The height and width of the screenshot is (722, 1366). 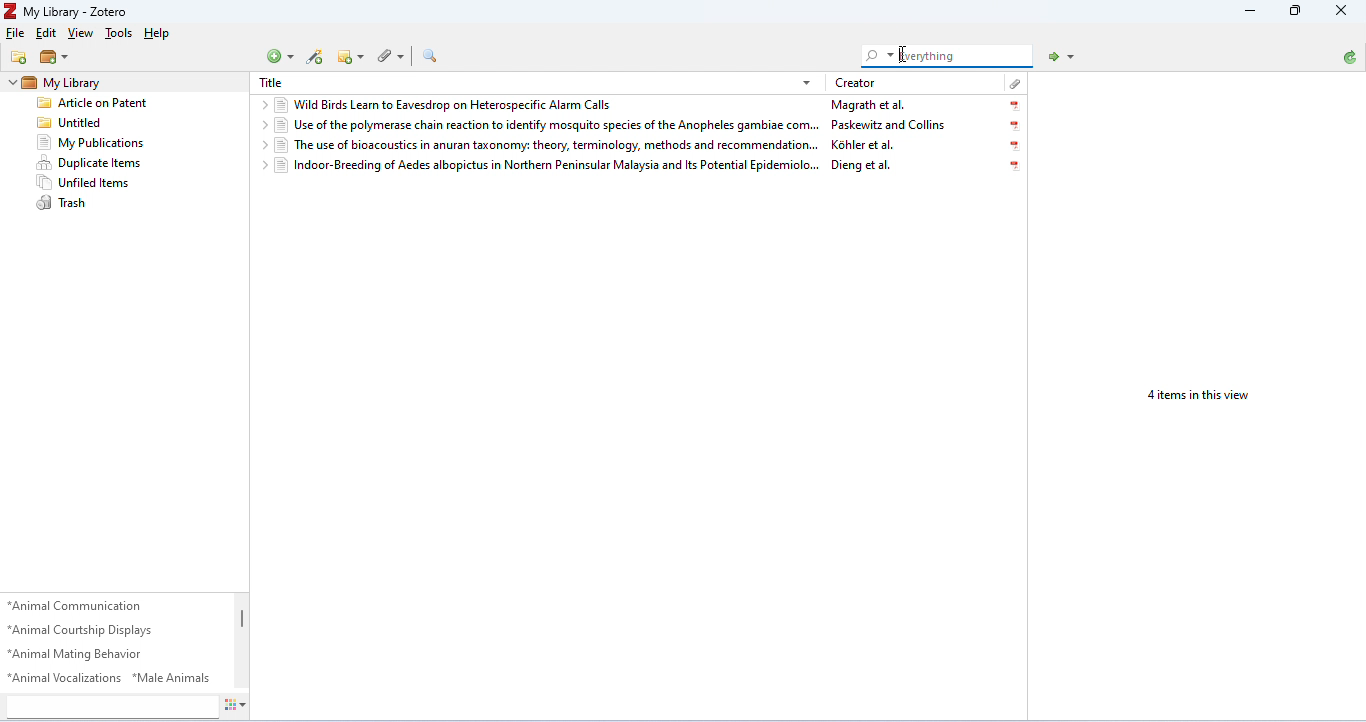 I want to click on Scroll Bar, so click(x=244, y=642).